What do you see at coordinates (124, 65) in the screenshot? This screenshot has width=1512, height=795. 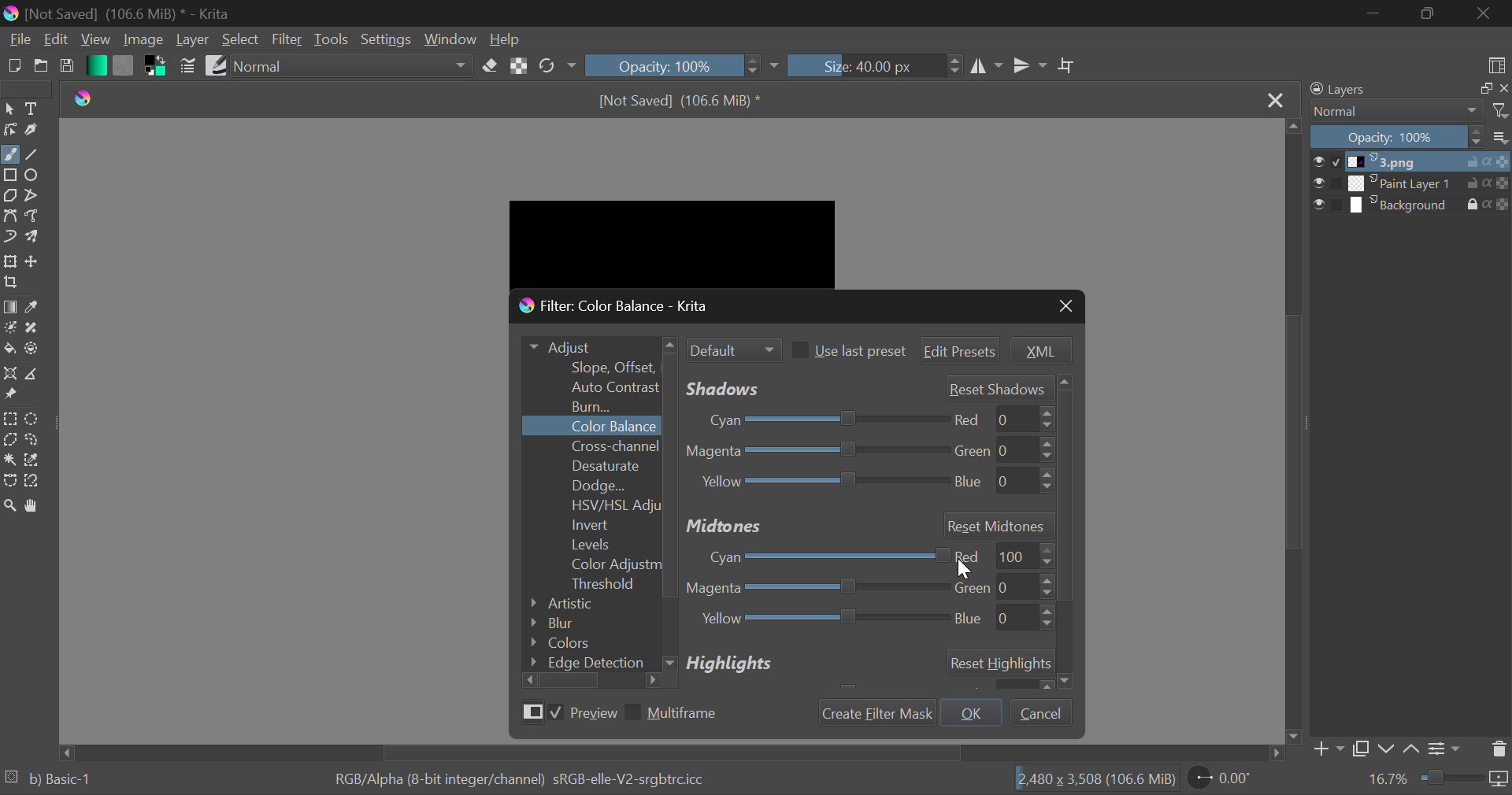 I see `Pattern` at bounding box center [124, 65].